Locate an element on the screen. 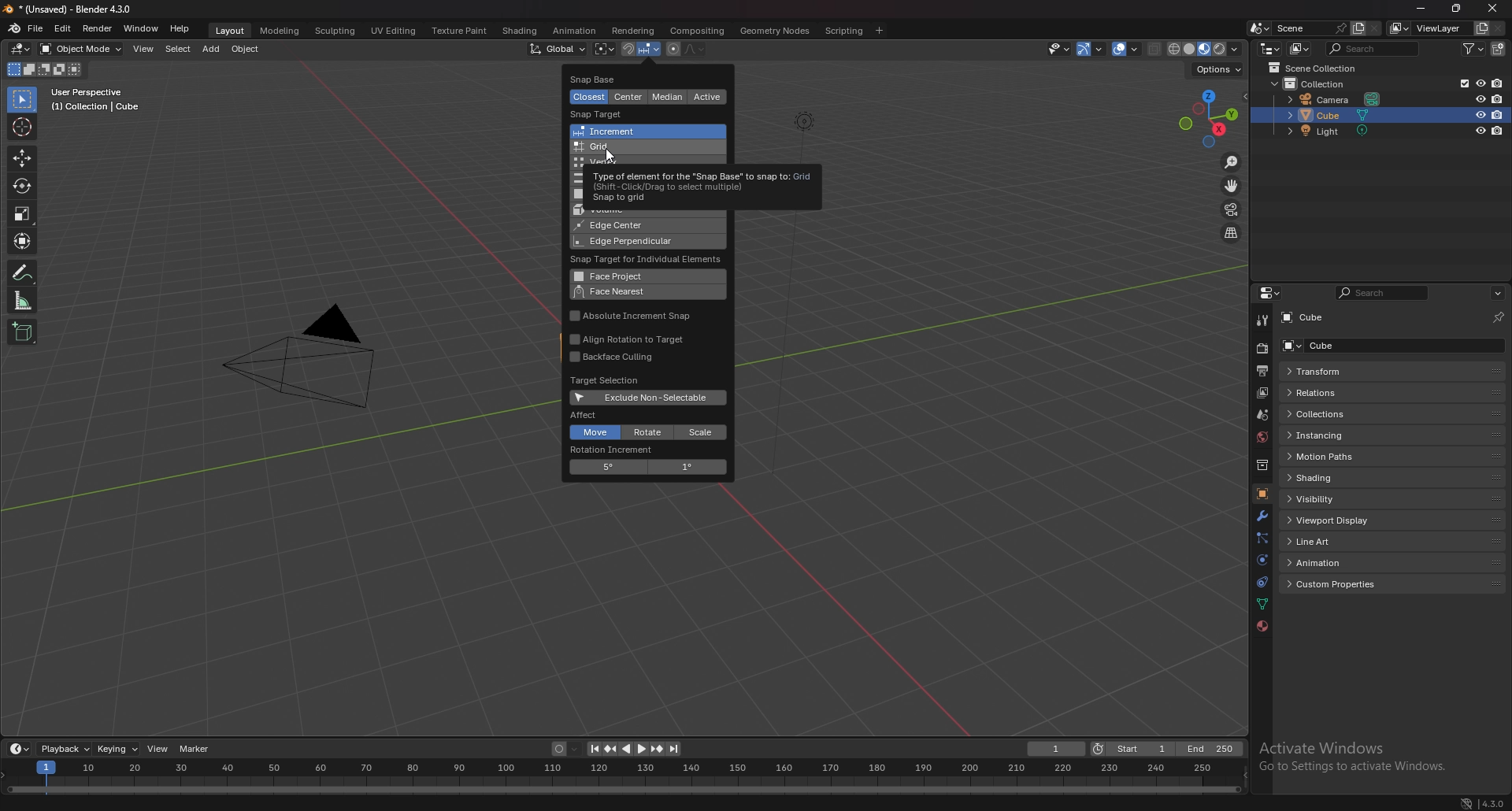  collection is located at coordinates (1322, 83).